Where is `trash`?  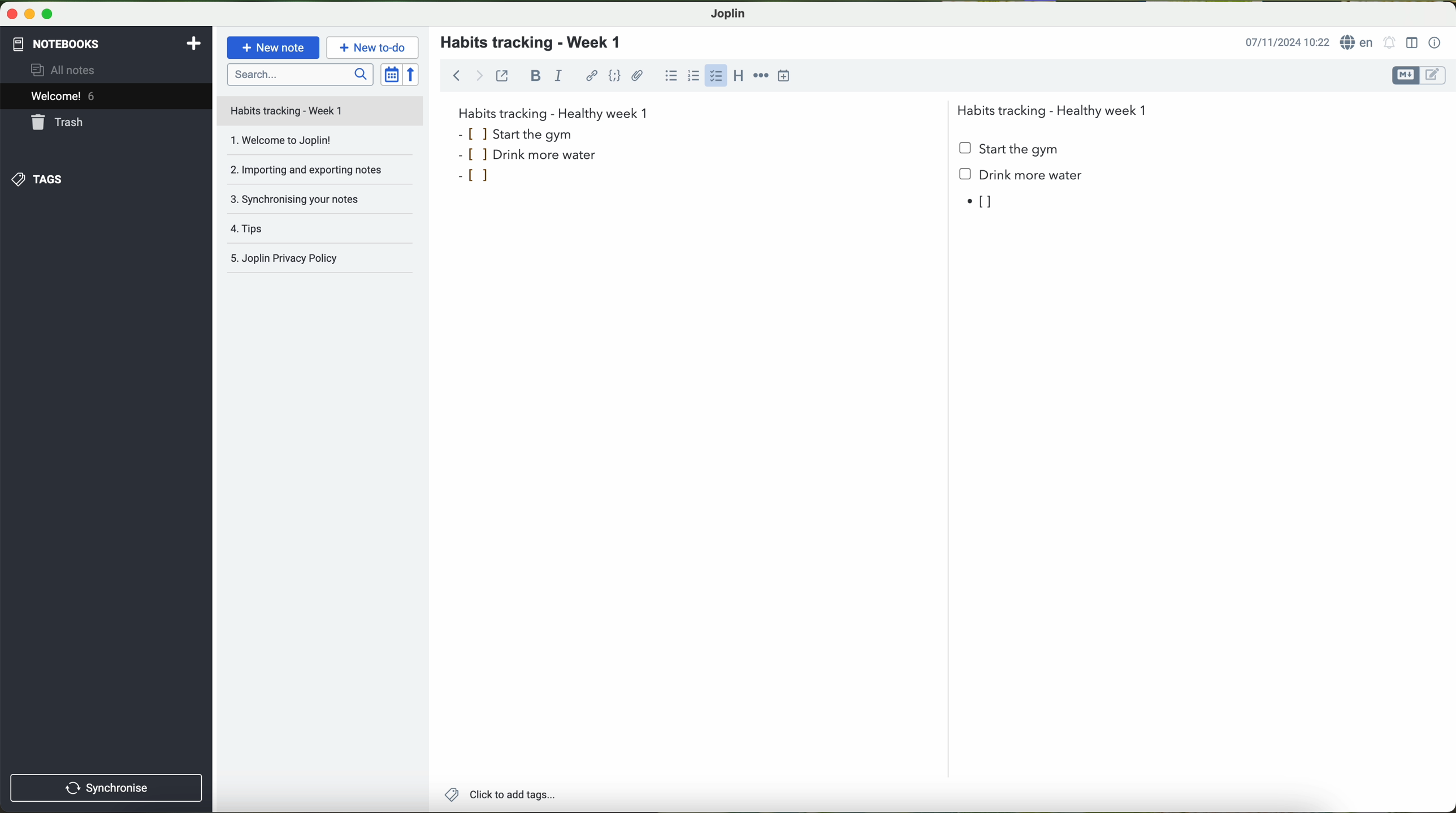 trash is located at coordinates (59, 122).